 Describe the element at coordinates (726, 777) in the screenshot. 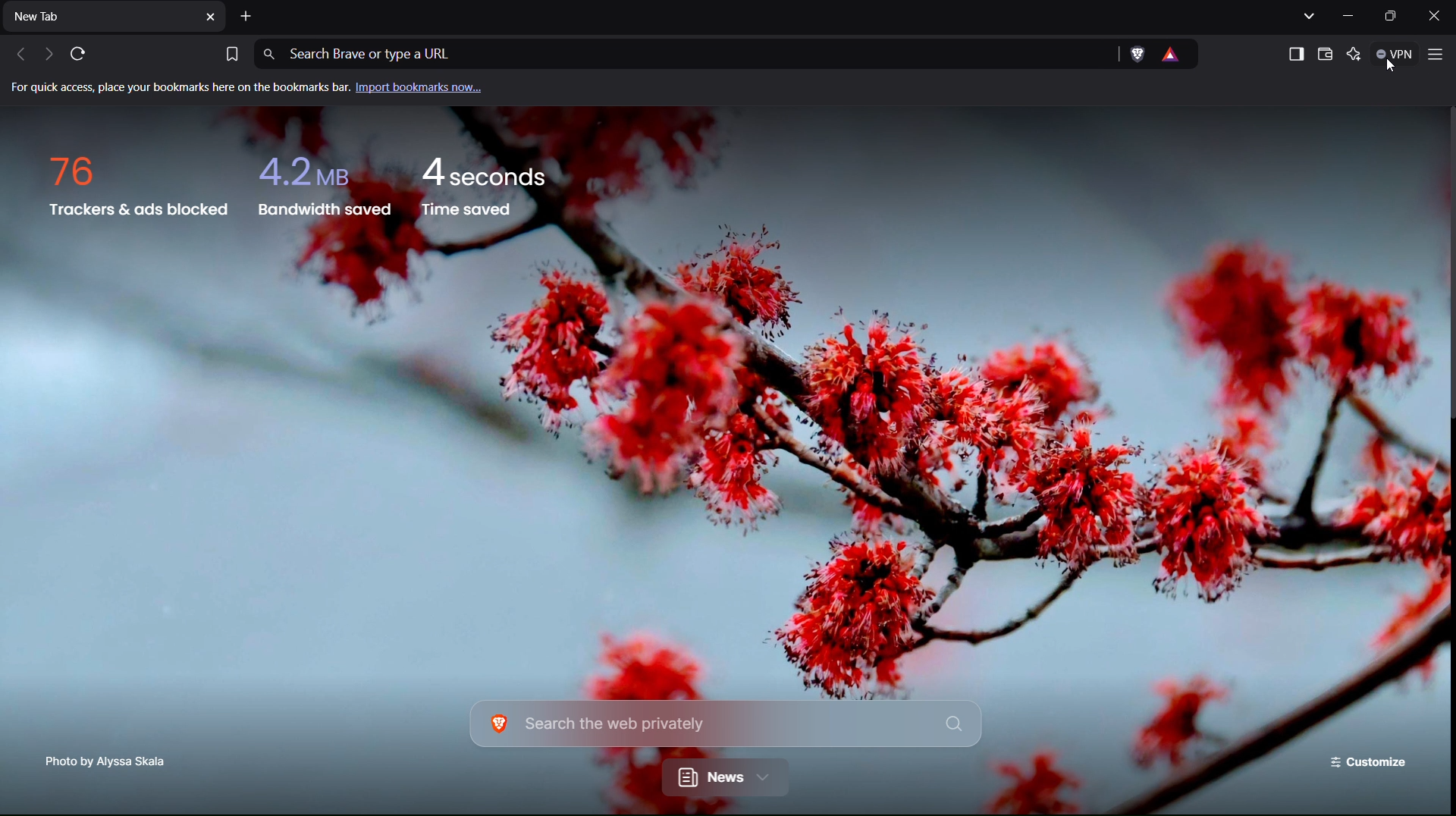

I see `News` at that location.